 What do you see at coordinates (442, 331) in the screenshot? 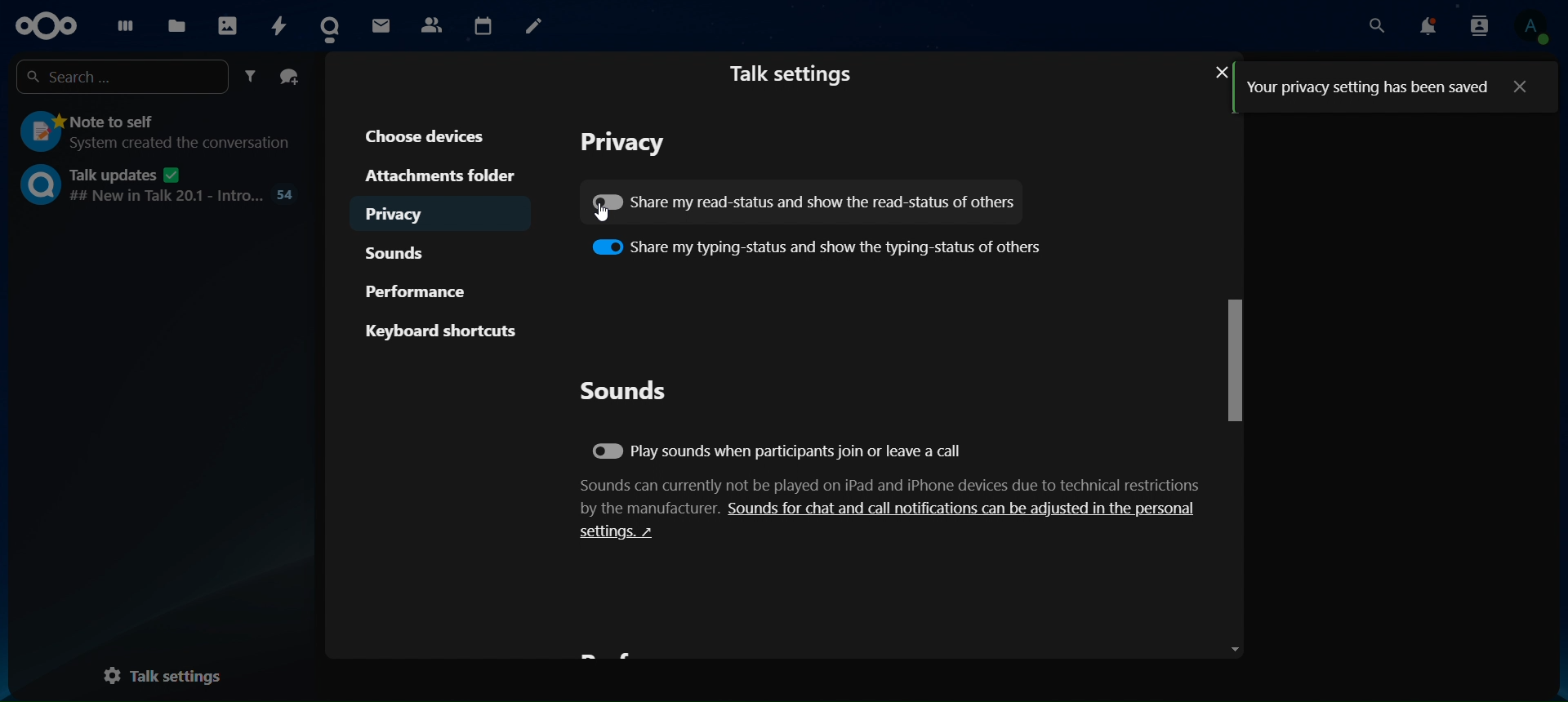
I see `keyboard shortcuts` at bounding box center [442, 331].